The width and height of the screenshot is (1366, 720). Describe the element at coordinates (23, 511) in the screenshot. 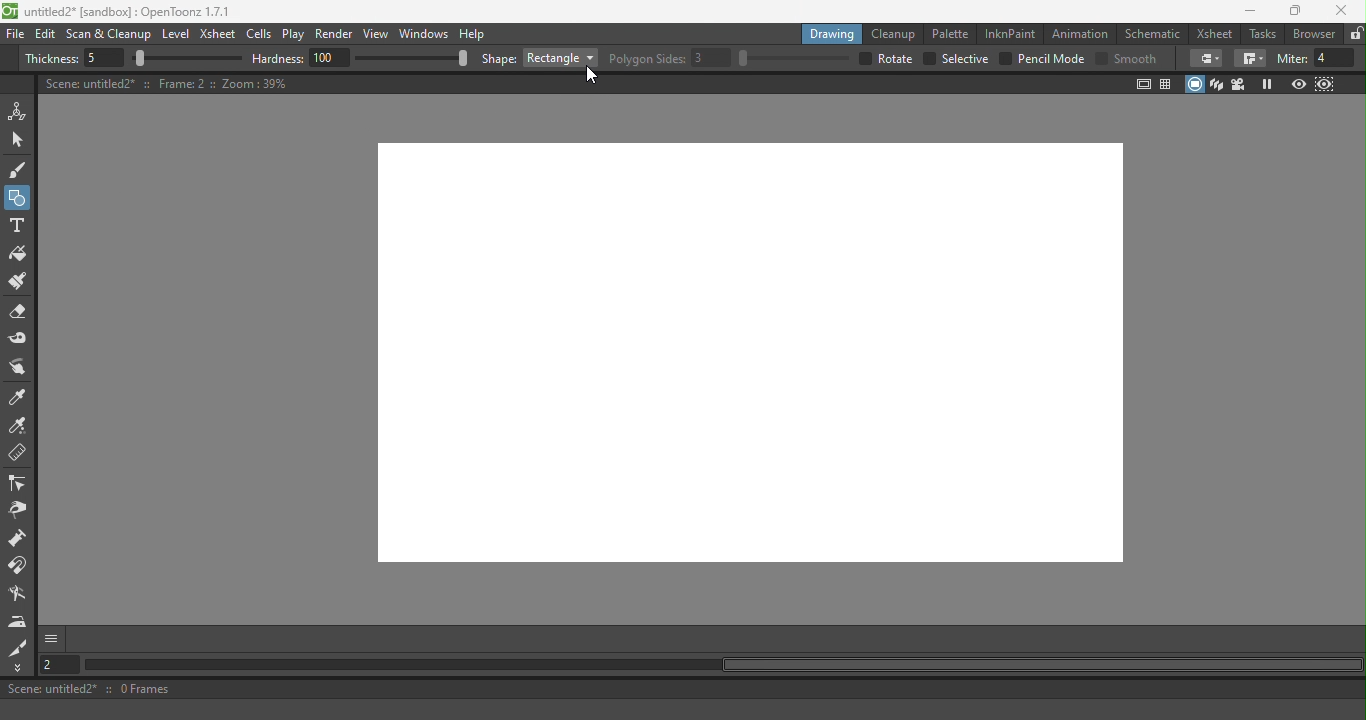

I see `Pinch tool` at that location.